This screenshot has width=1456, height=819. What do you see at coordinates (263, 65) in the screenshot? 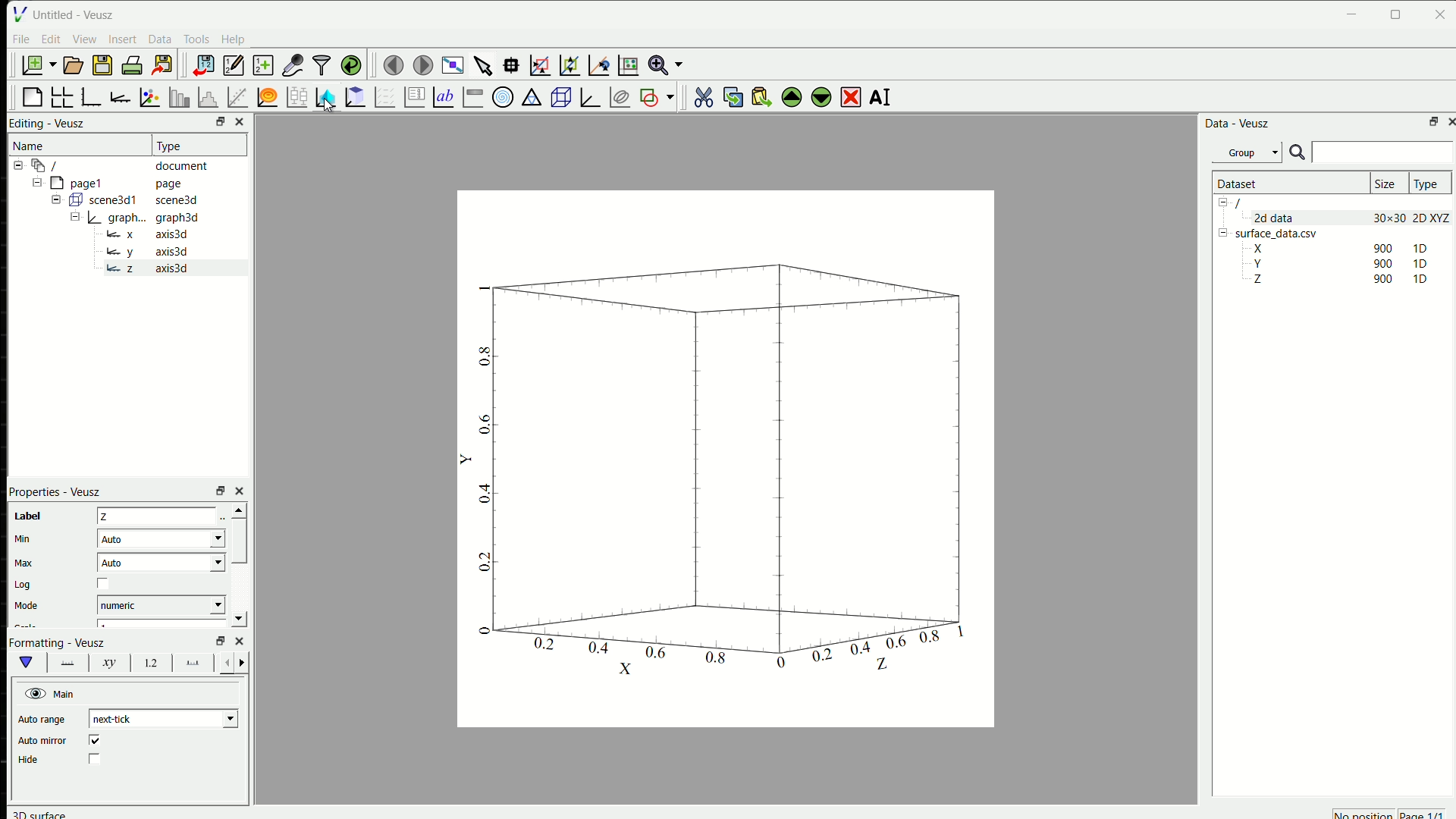
I see `create new data sets` at bounding box center [263, 65].